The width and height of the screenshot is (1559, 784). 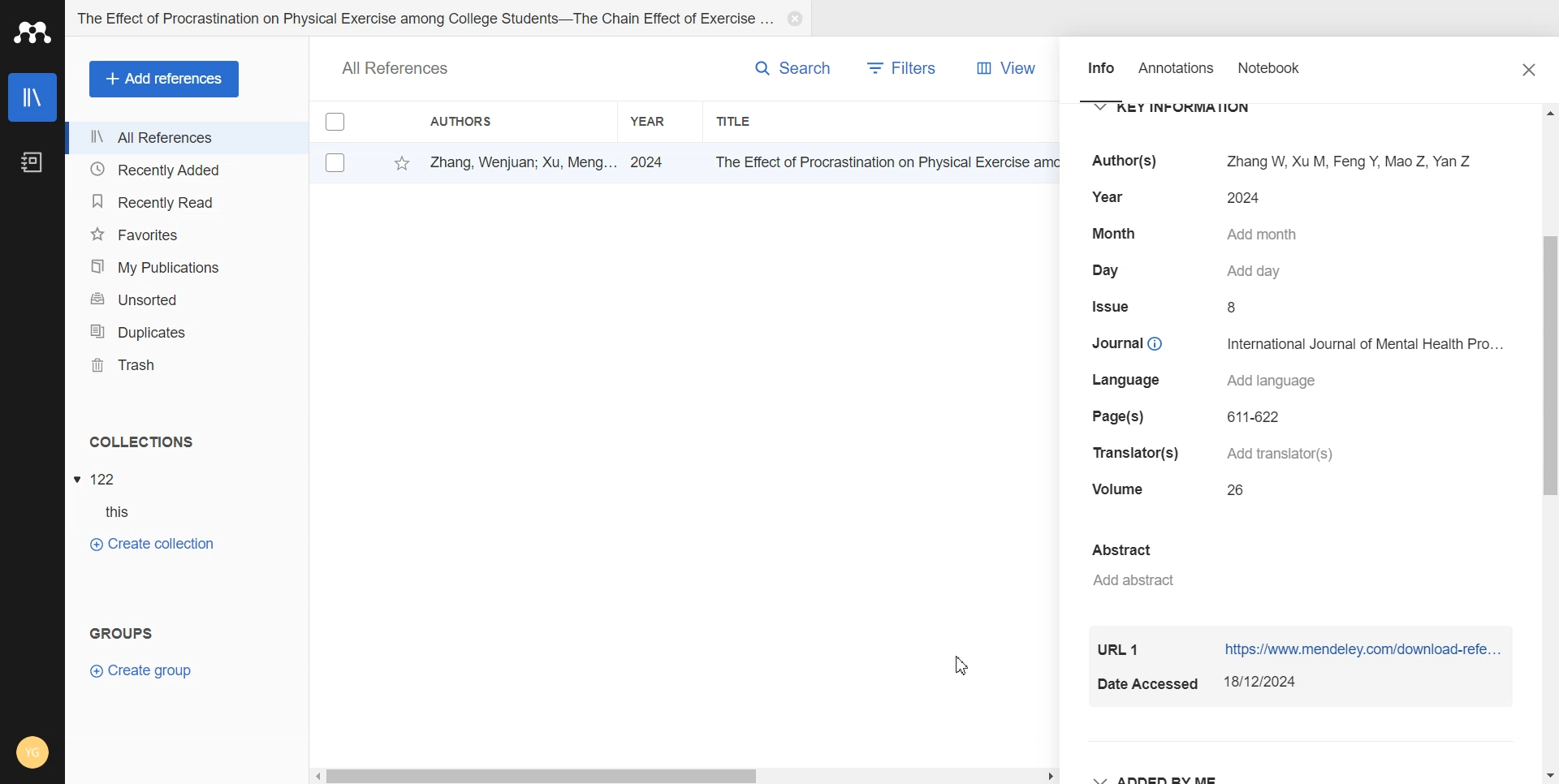 What do you see at coordinates (660, 120) in the screenshot?
I see `Year` at bounding box center [660, 120].